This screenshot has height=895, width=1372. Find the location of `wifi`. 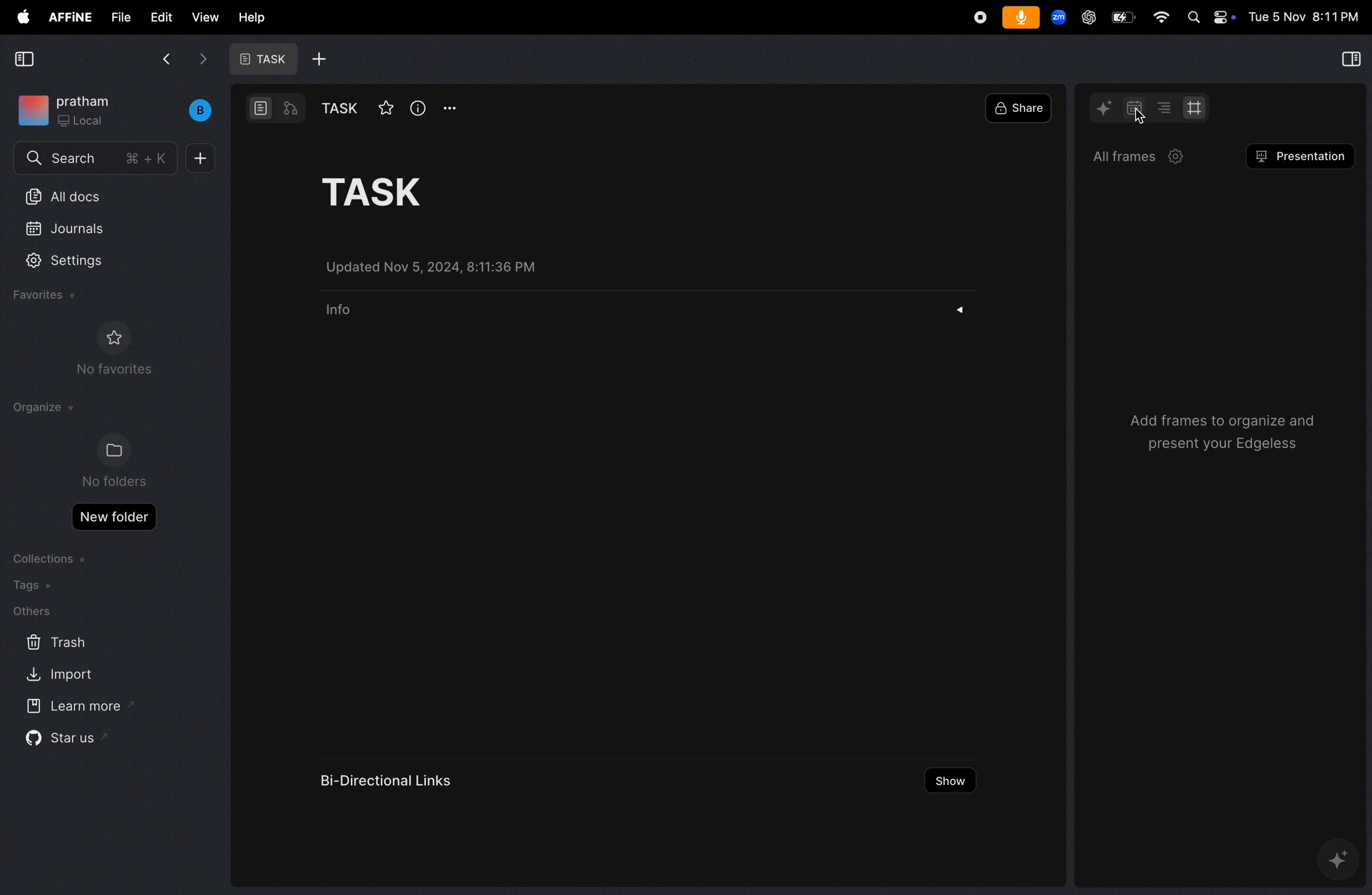

wifi is located at coordinates (1156, 18).